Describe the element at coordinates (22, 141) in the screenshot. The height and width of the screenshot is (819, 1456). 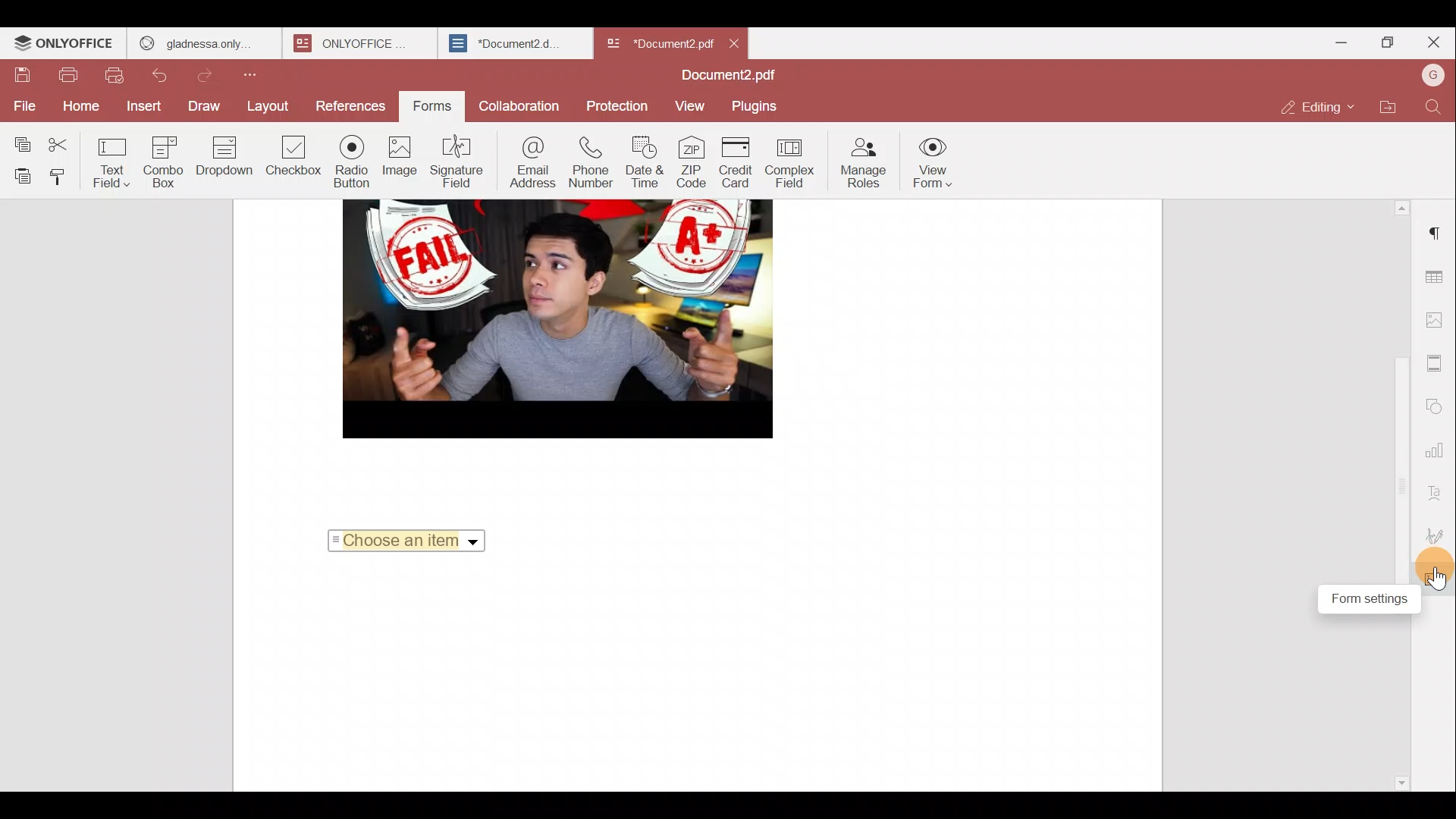
I see `Copy` at that location.